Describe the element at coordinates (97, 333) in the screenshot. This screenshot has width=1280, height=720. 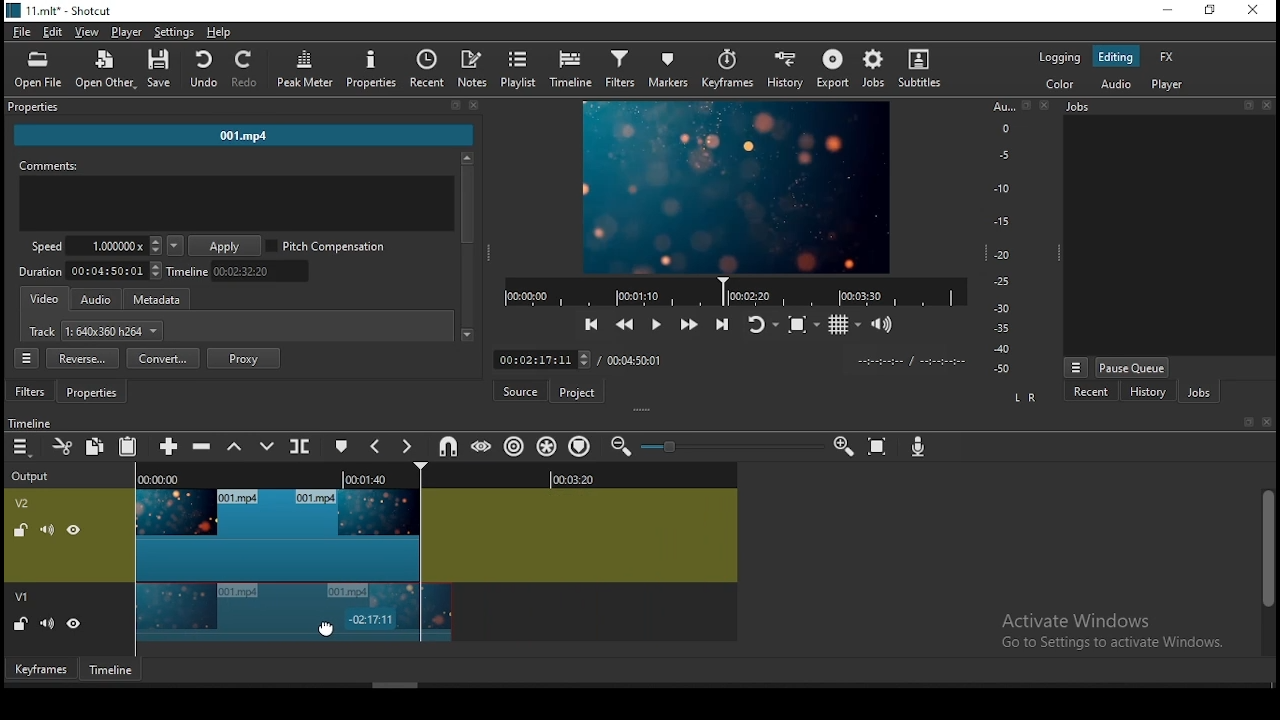
I see `track` at that location.